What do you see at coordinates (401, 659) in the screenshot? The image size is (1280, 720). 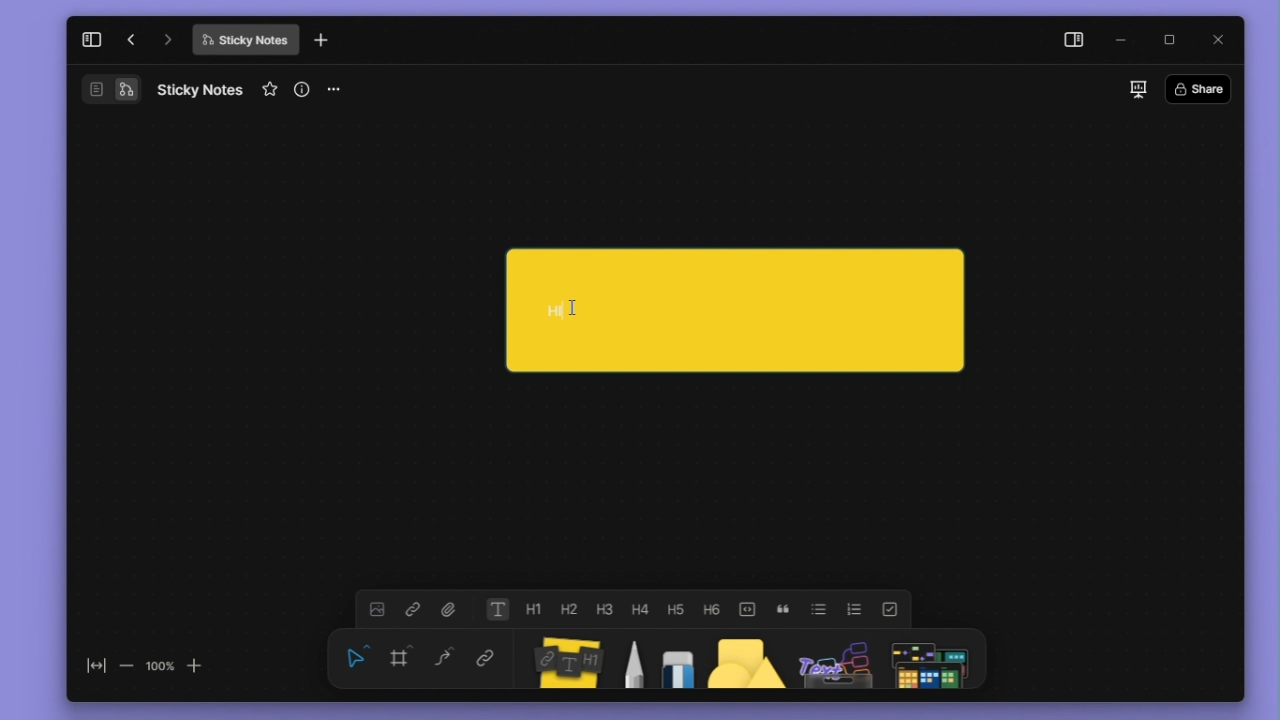 I see `framing` at bounding box center [401, 659].